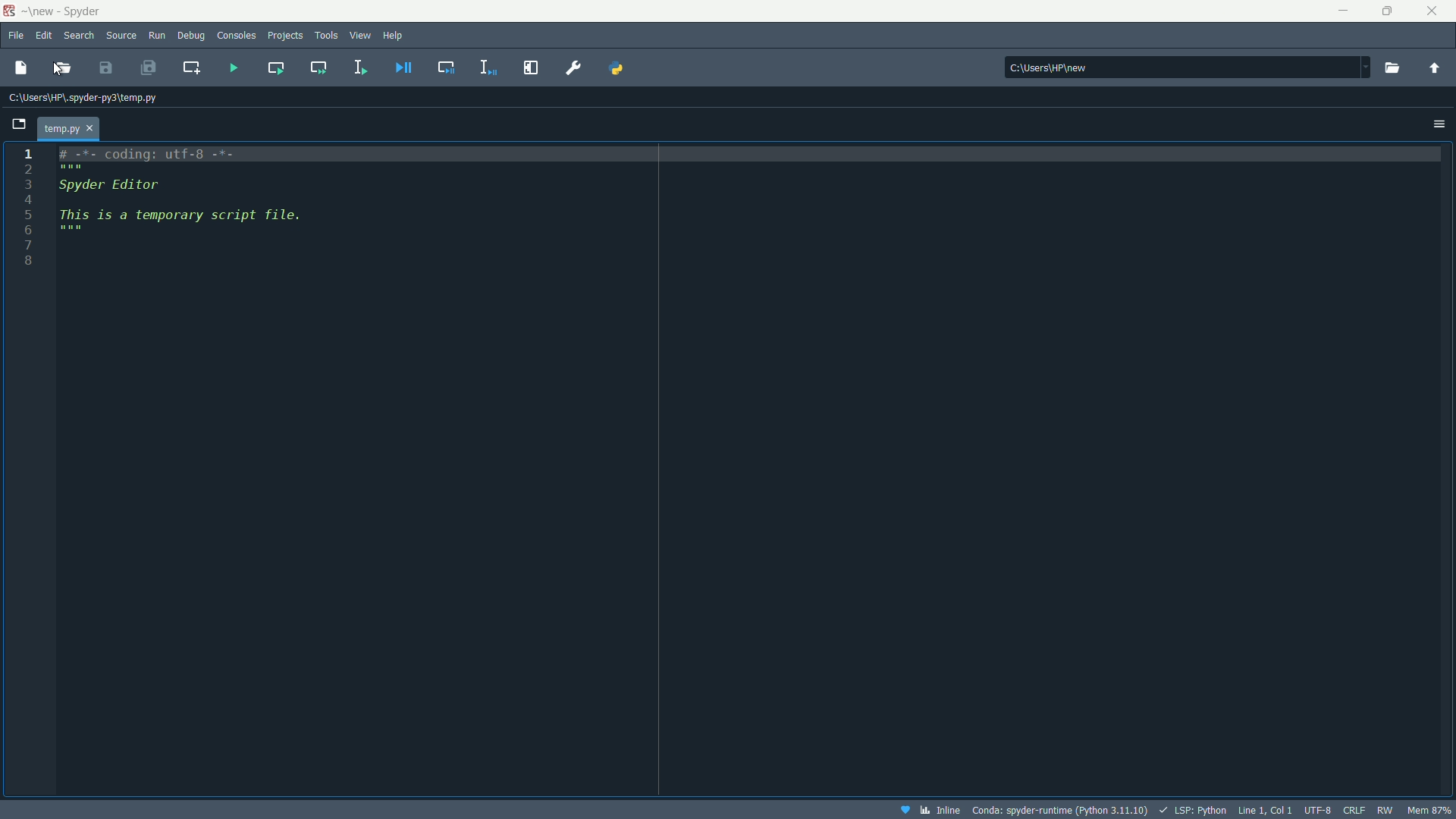  Describe the element at coordinates (533, 69) in the screenshot. I see `Maximize current panel` at that location.